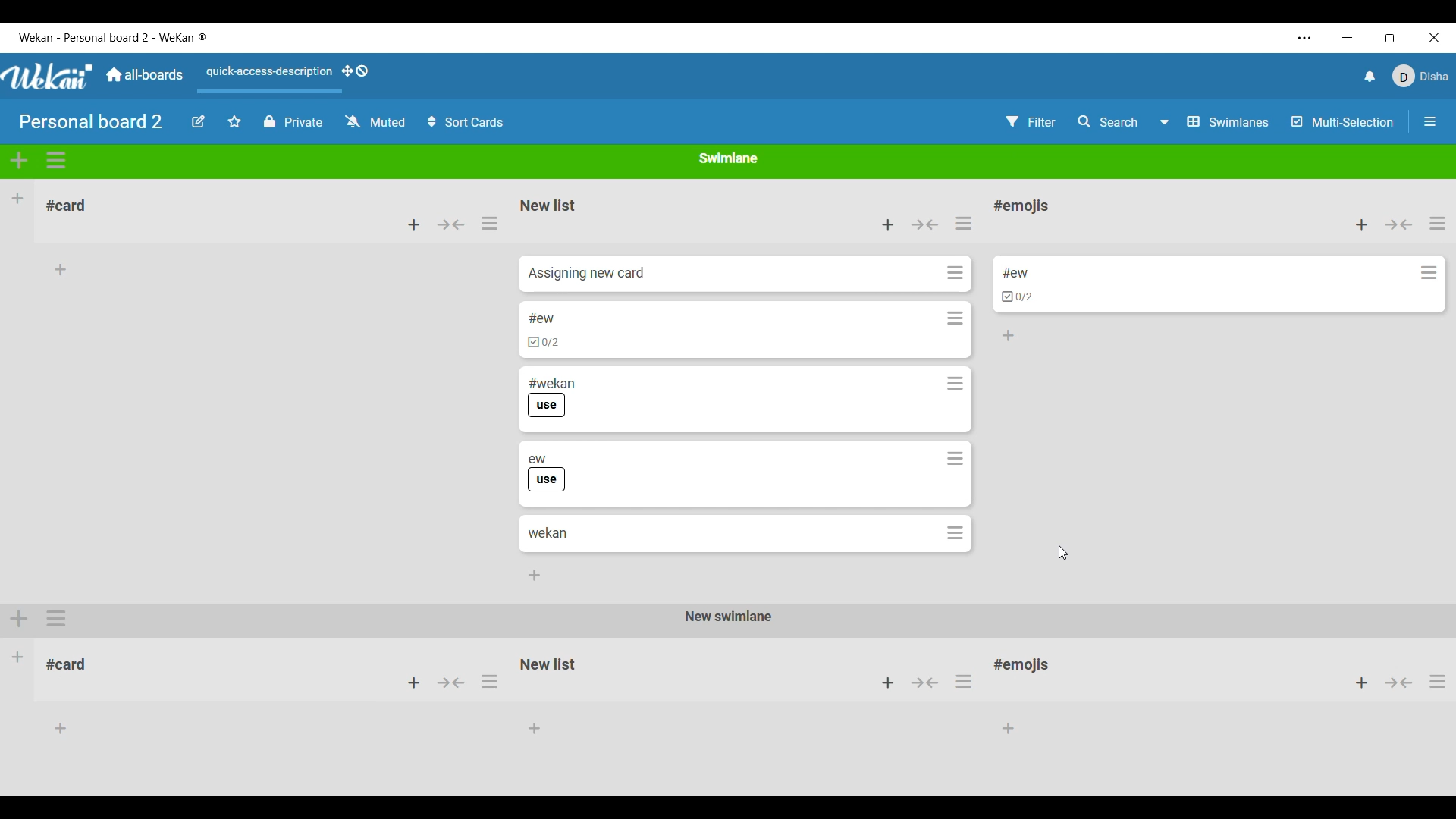 Image resolution: width=1456 pixels, height=819 pixels. What do you see at coordinates (466, 122) in the screenshot?
I see `Sort cards` at bounding box center [466, 122].